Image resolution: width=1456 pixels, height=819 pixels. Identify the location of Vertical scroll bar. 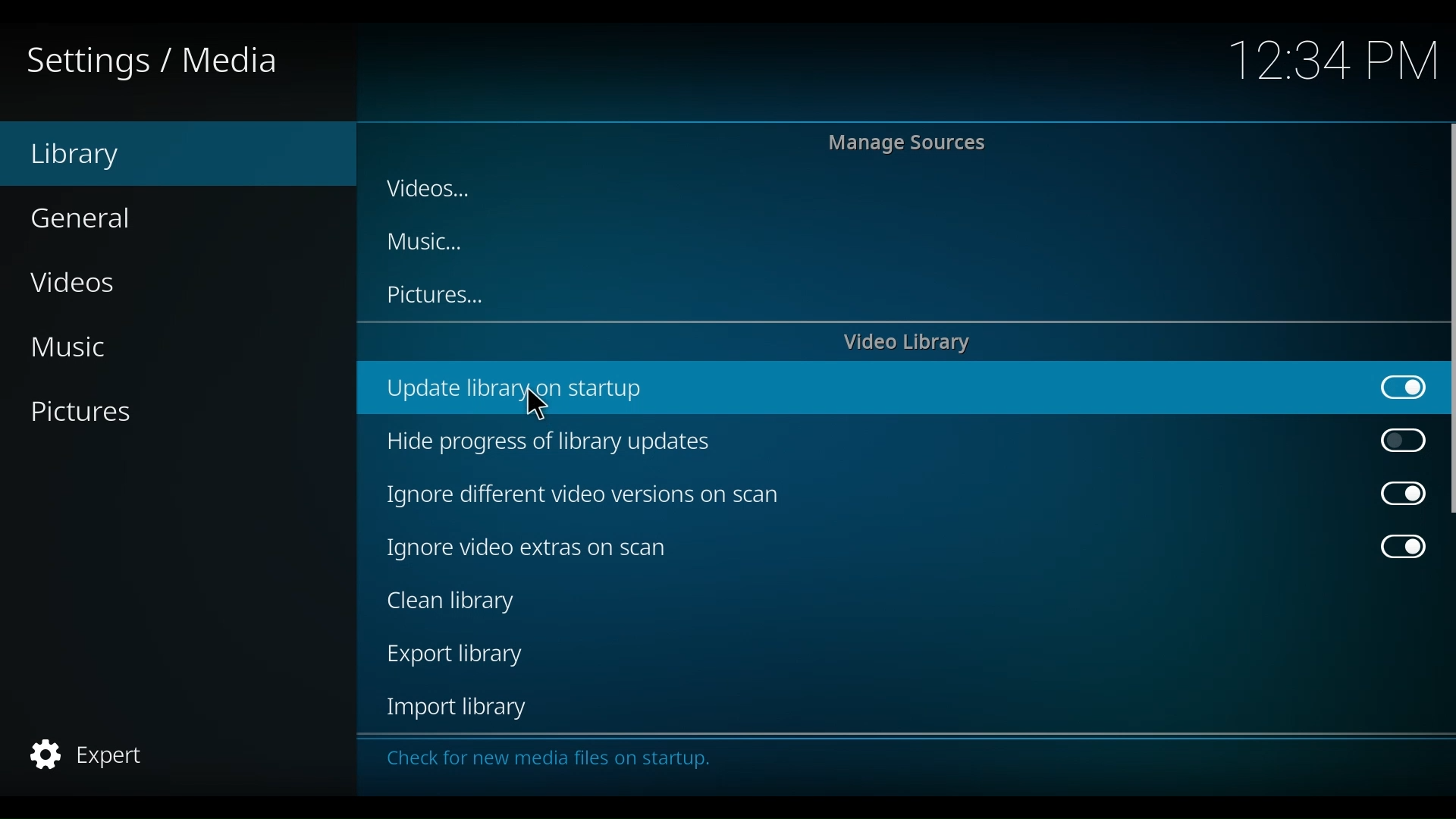
(1447, 317).